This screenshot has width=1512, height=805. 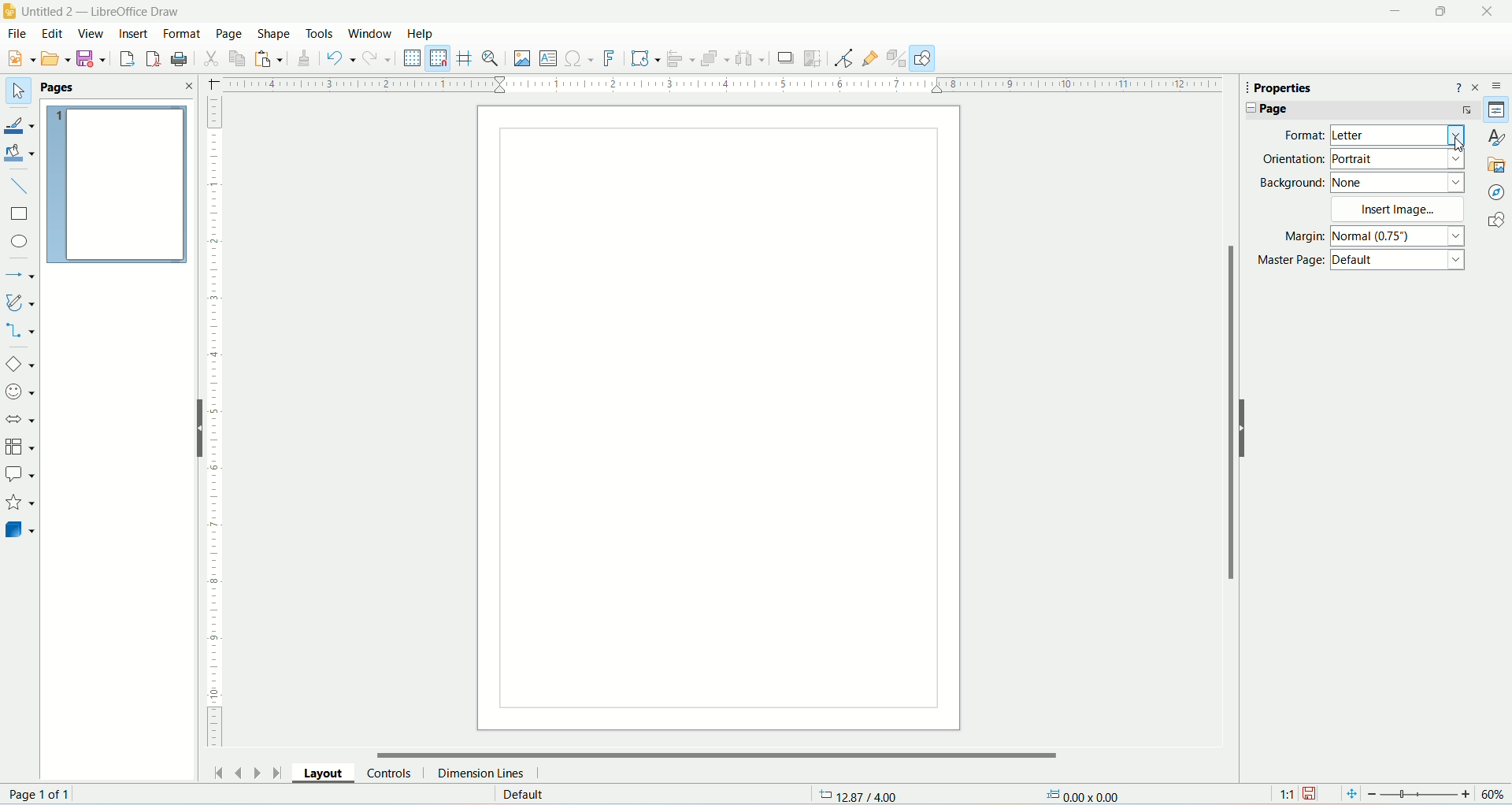 What do you see at coordinates (20, 422) in the screenshot?
I see `block arrows` at bounding box center [20, 422].